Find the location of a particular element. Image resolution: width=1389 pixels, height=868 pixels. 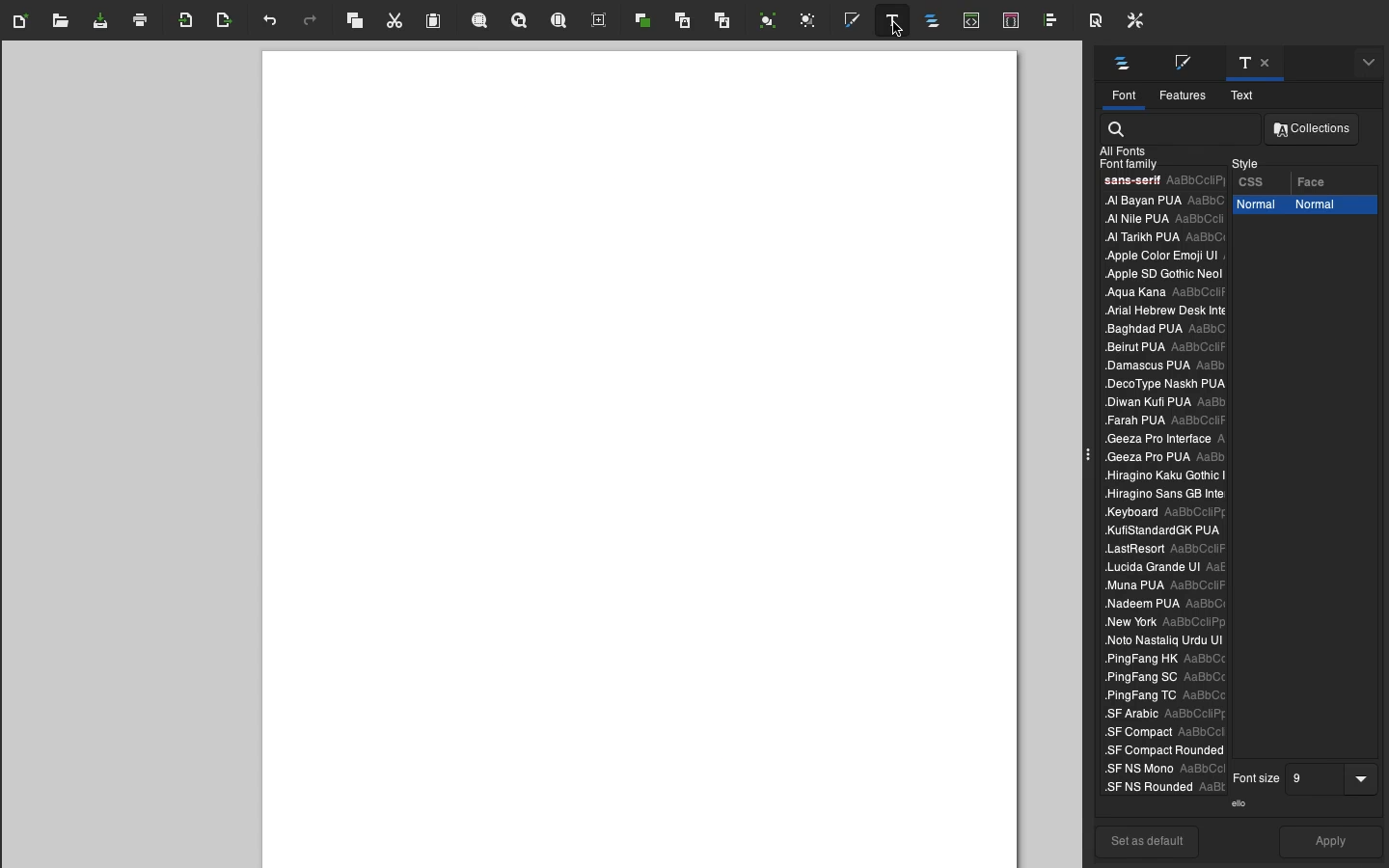

Ungroup is located at coordinates (808, 21).